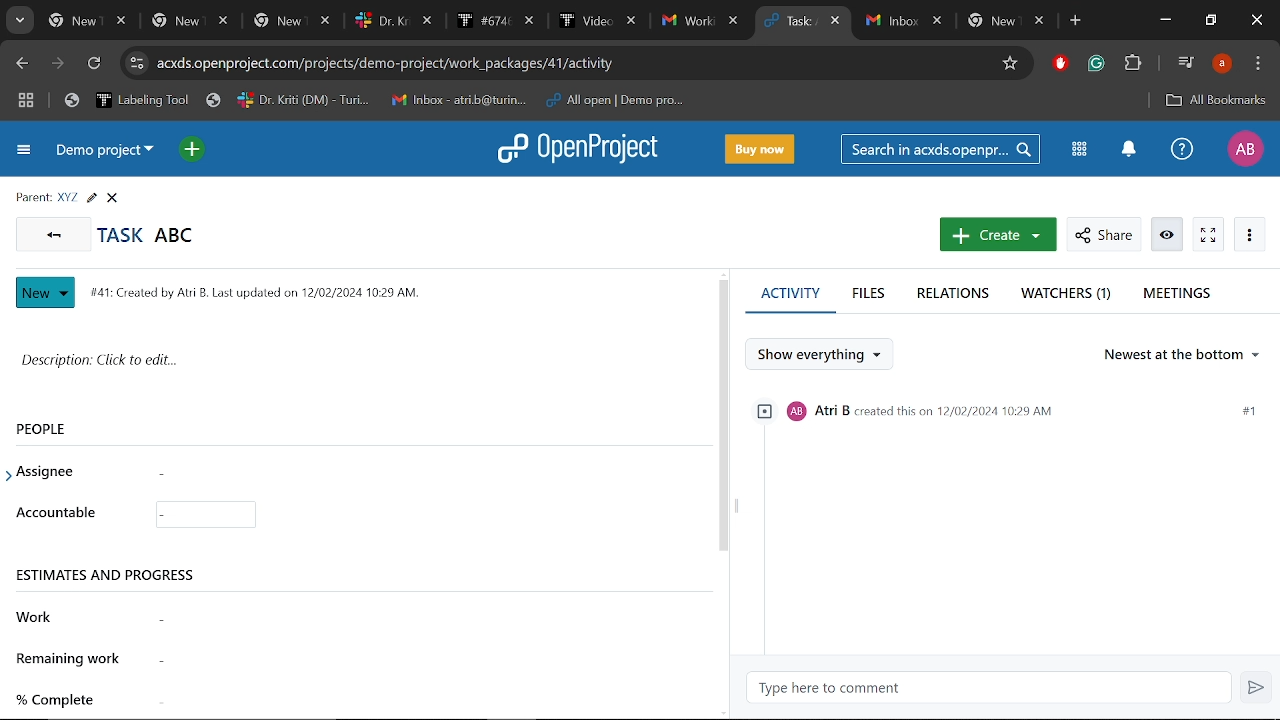 The image size is (1280, 720). What do you see at coordinates (759, 149) in the screenshot?
I see `Buy now` at bounding box center [759, 149].